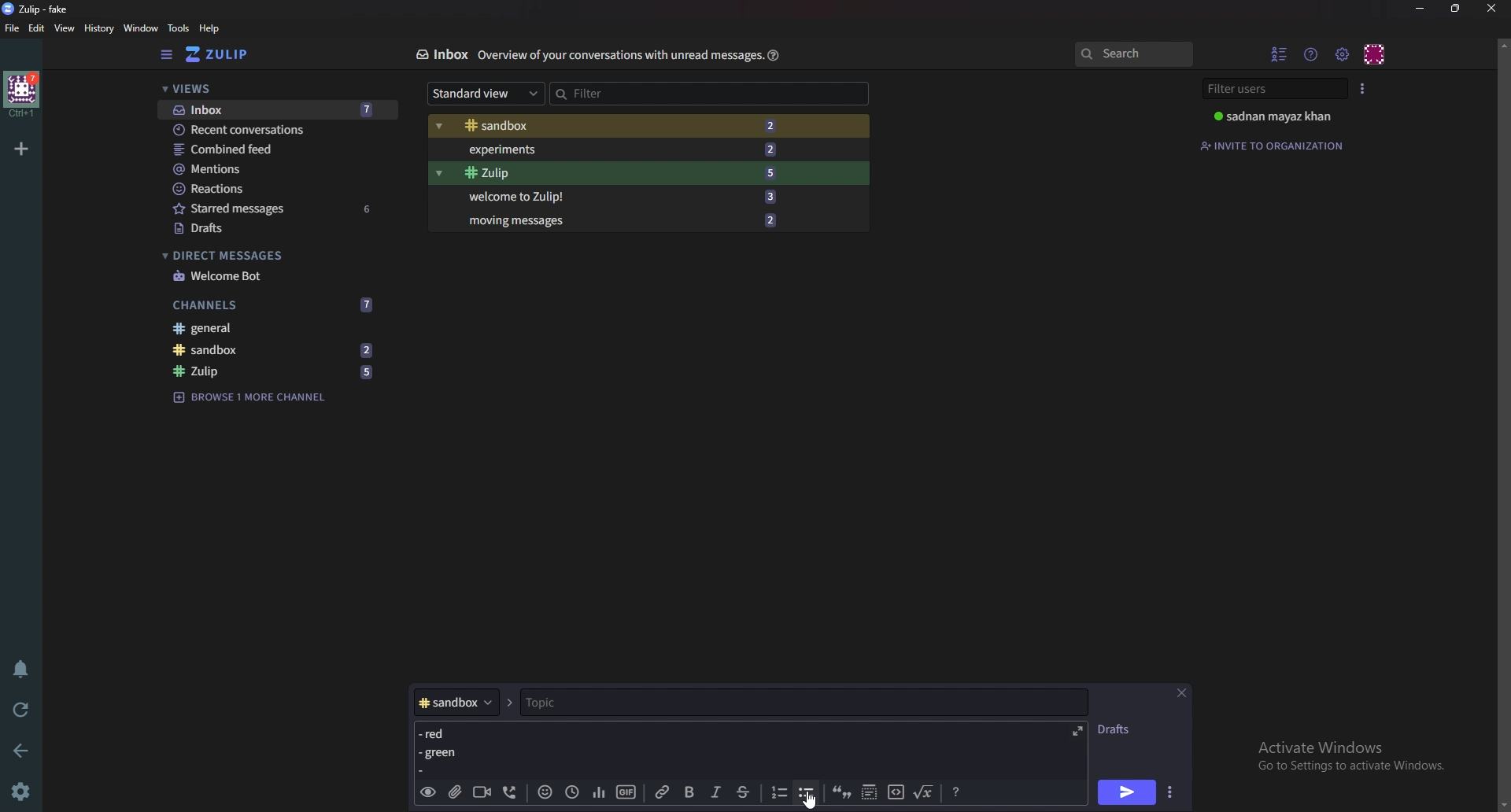 Image resolution: width=1511 pixels, height=812 pixels. Describe the element at coordinates (513, 792) in the screenshot. I see `Voice call` at that location.